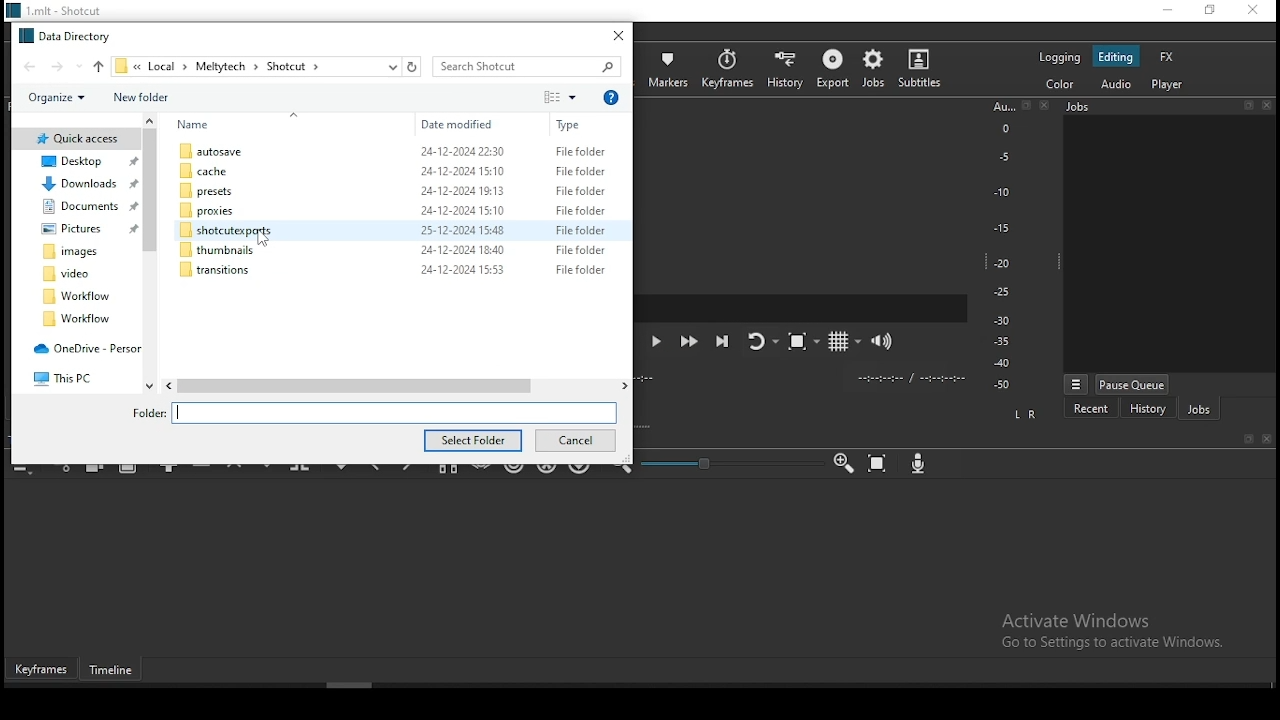  I want to click on local folder, so click(70, 375).